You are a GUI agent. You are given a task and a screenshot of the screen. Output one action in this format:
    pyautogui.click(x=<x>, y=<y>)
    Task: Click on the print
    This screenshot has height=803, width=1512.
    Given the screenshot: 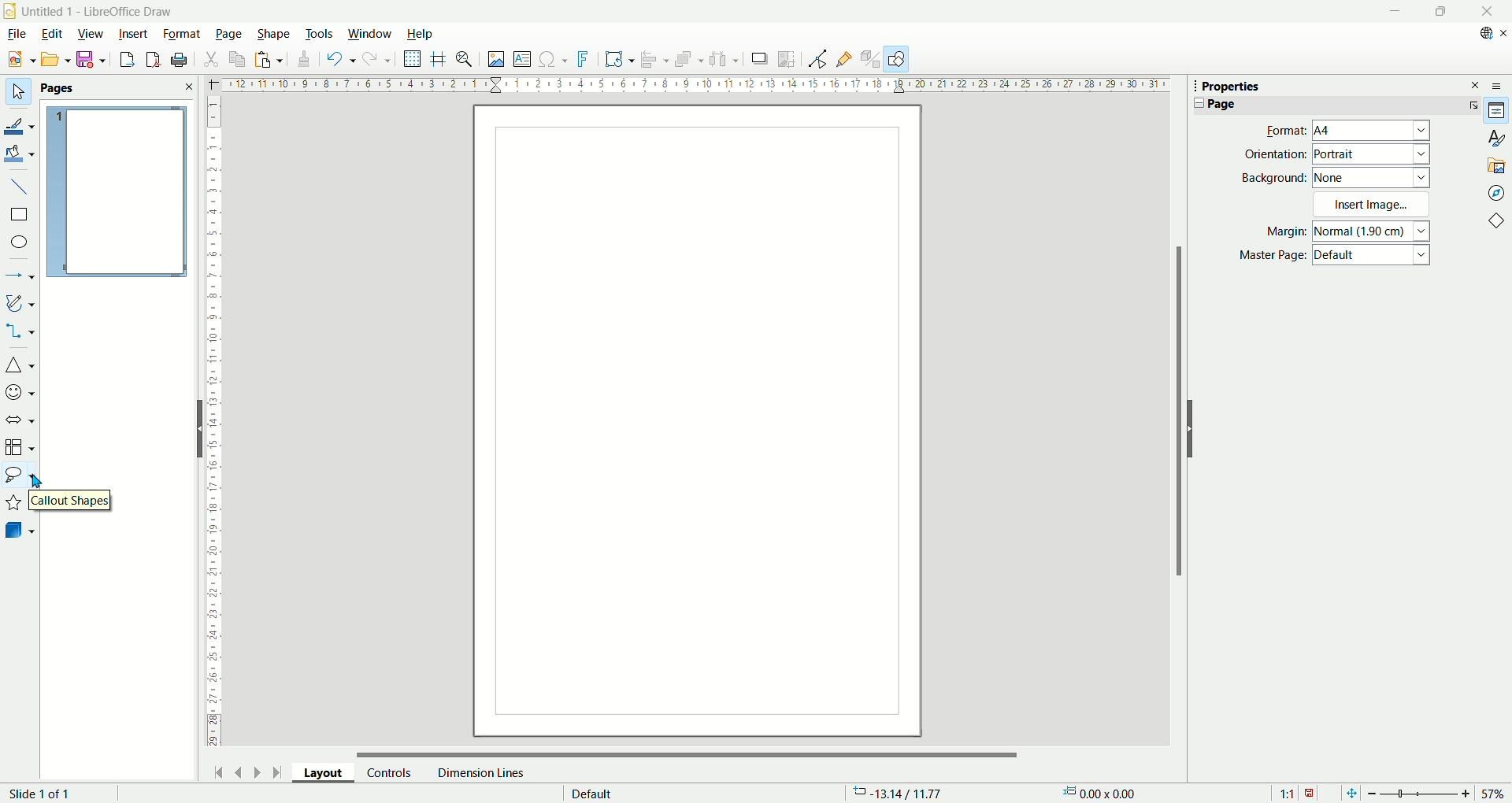 What is the action you would take?
    pyautogui.click(x=180, y=60)
    